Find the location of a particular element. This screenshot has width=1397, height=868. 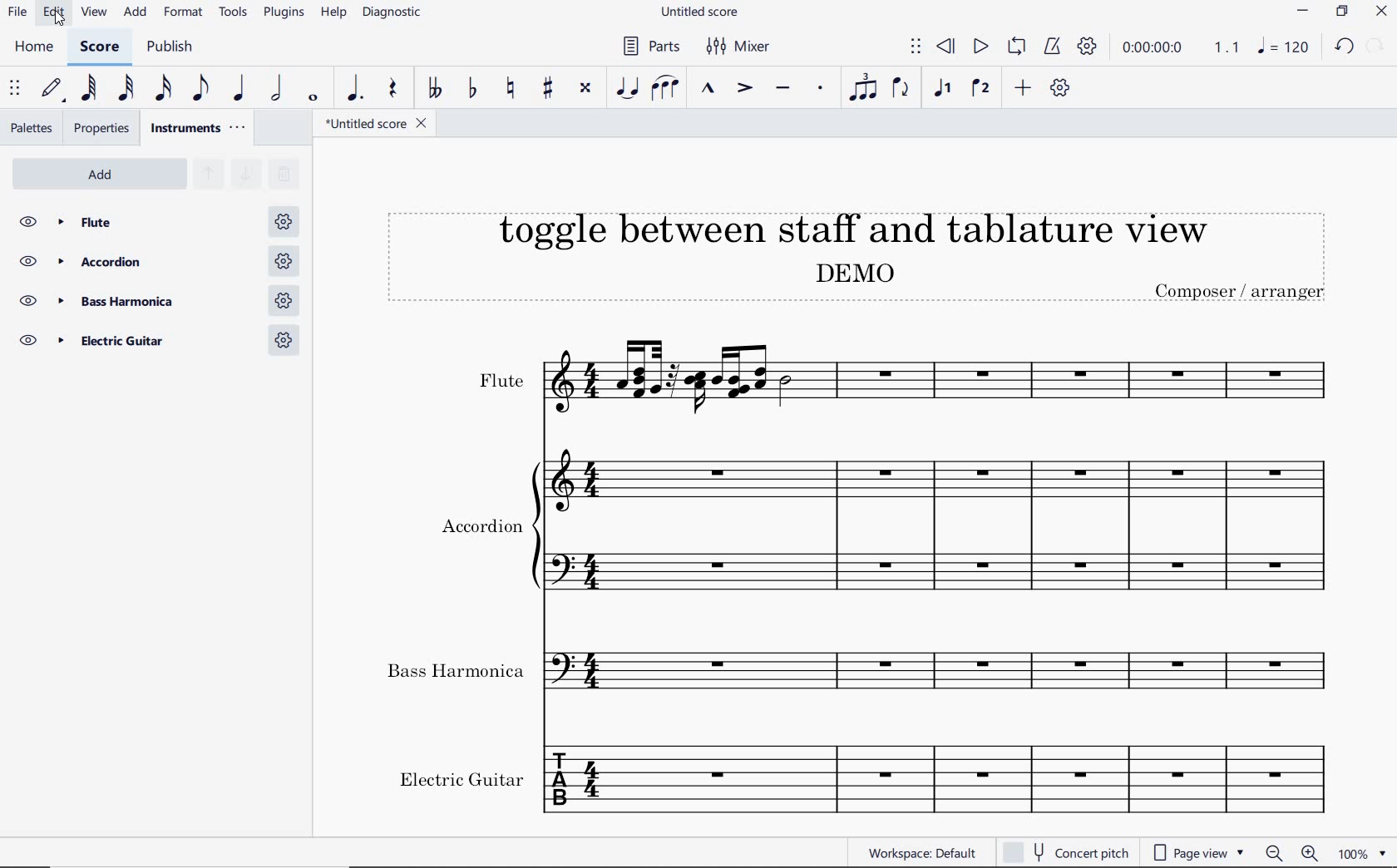

plugins is located at coordinates (284, 13).